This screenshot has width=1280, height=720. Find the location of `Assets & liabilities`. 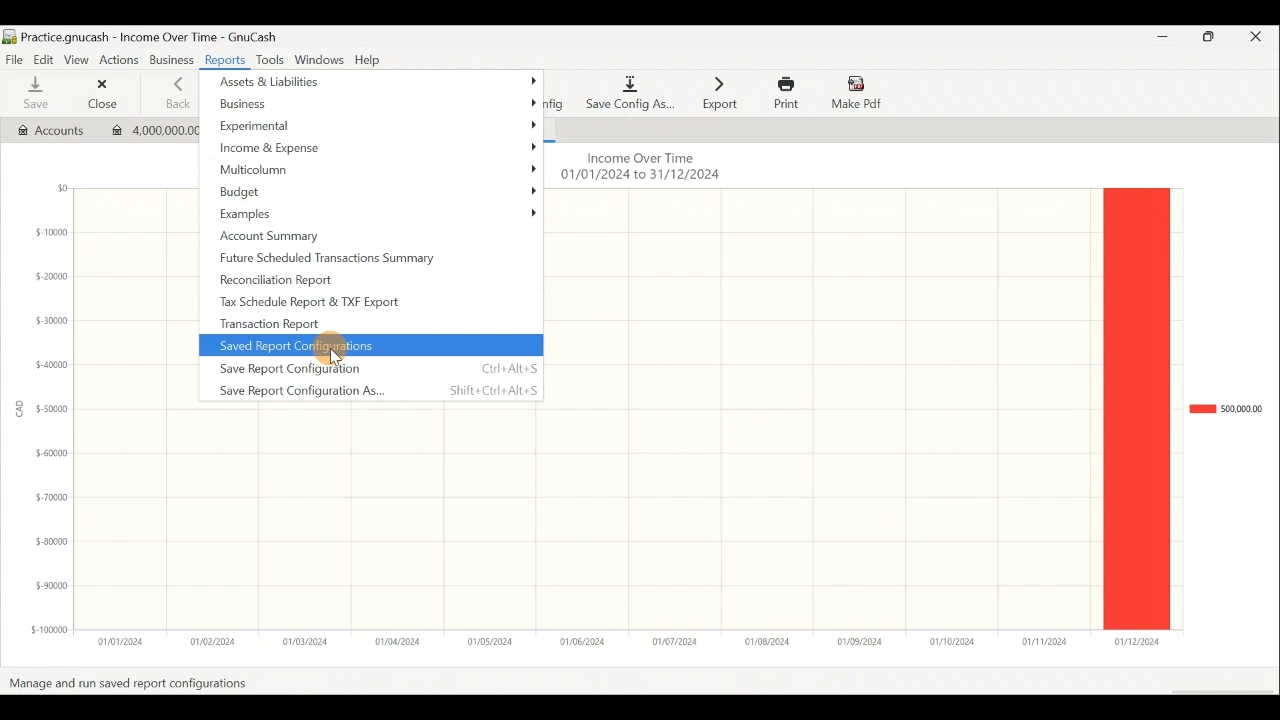

Assets & liabilities is located at coordinates (374, 79).